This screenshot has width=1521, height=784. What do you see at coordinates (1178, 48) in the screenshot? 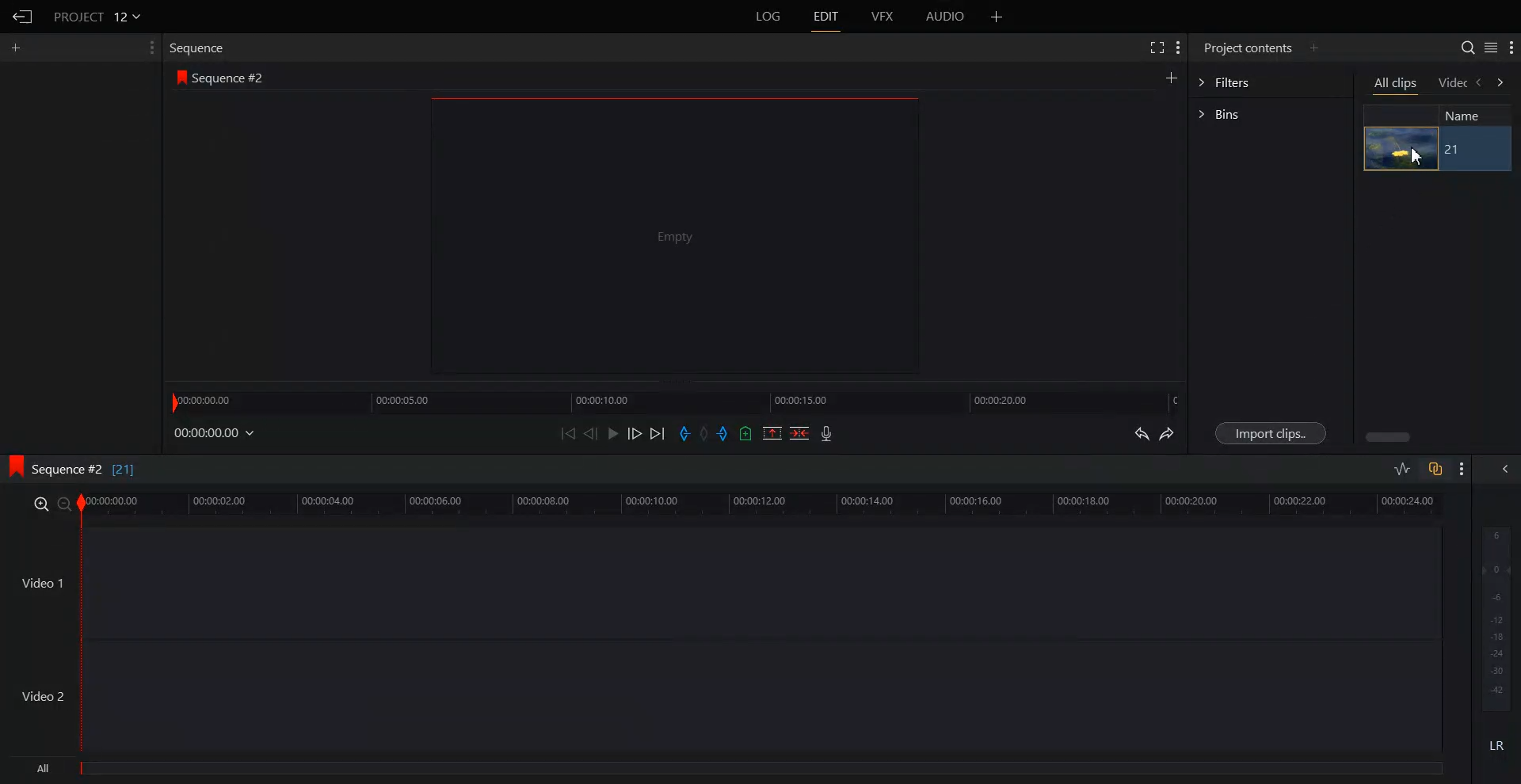
I see `Show Setting Menu` at bounding box center [1178, 48].